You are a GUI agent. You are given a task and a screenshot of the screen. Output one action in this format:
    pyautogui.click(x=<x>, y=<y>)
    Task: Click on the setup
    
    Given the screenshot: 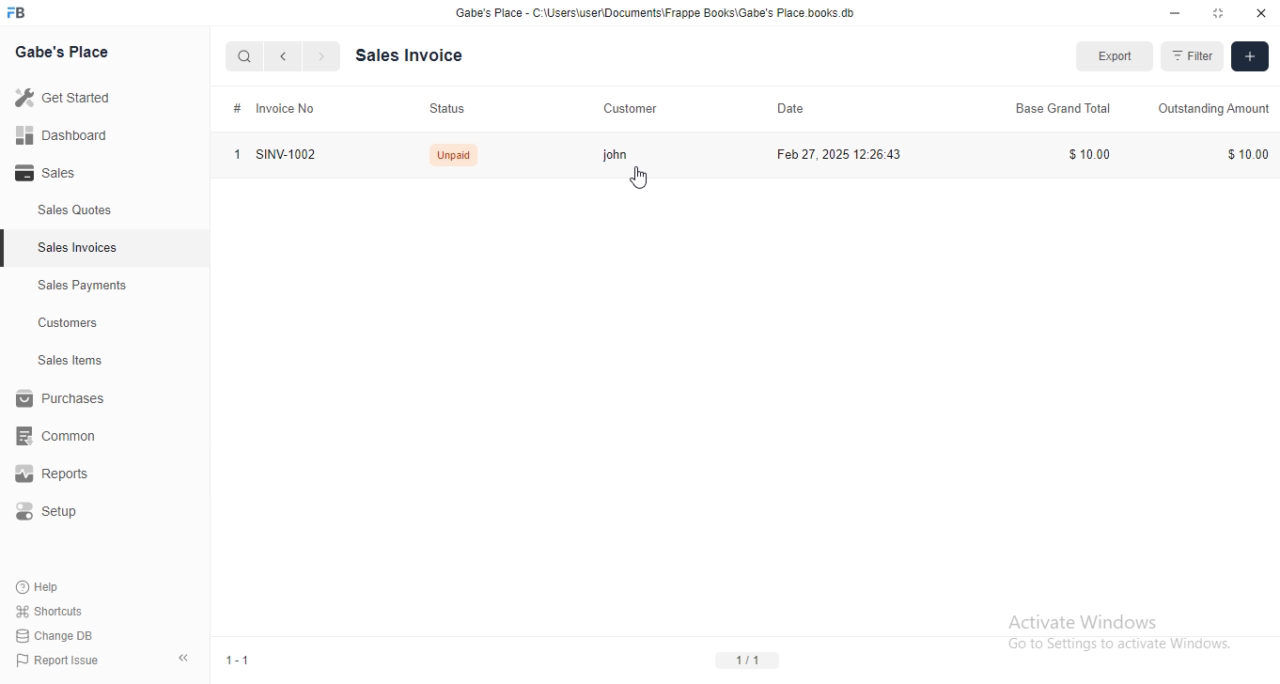 What is the action you would take?
    pyautogui.click(x=47, y=511)
    